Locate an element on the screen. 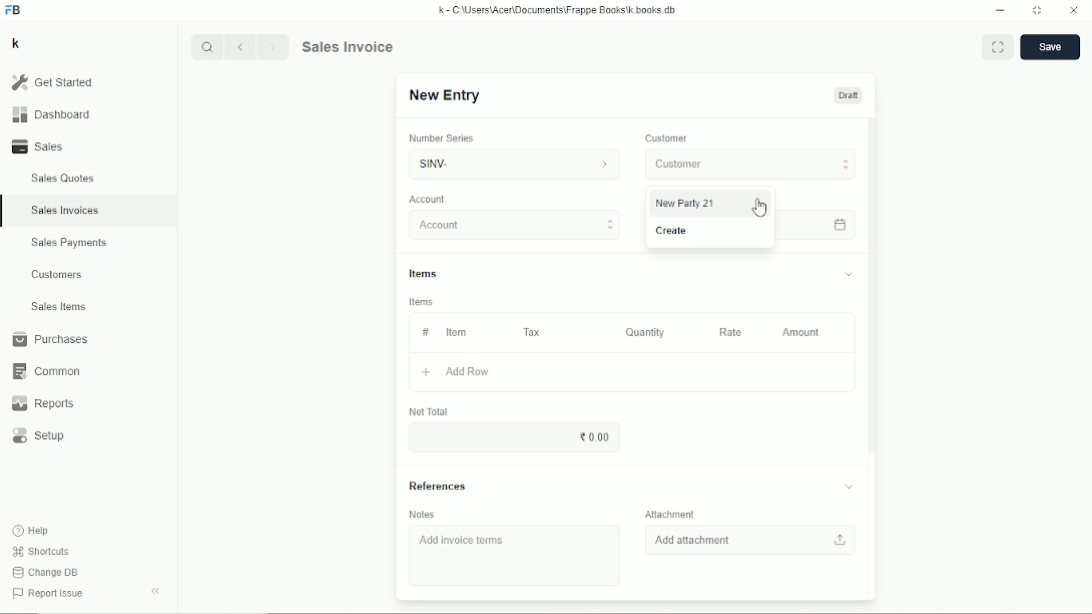 The height and width of the screenshot is (614, 1092). Account is located at coordinates (516, 225).